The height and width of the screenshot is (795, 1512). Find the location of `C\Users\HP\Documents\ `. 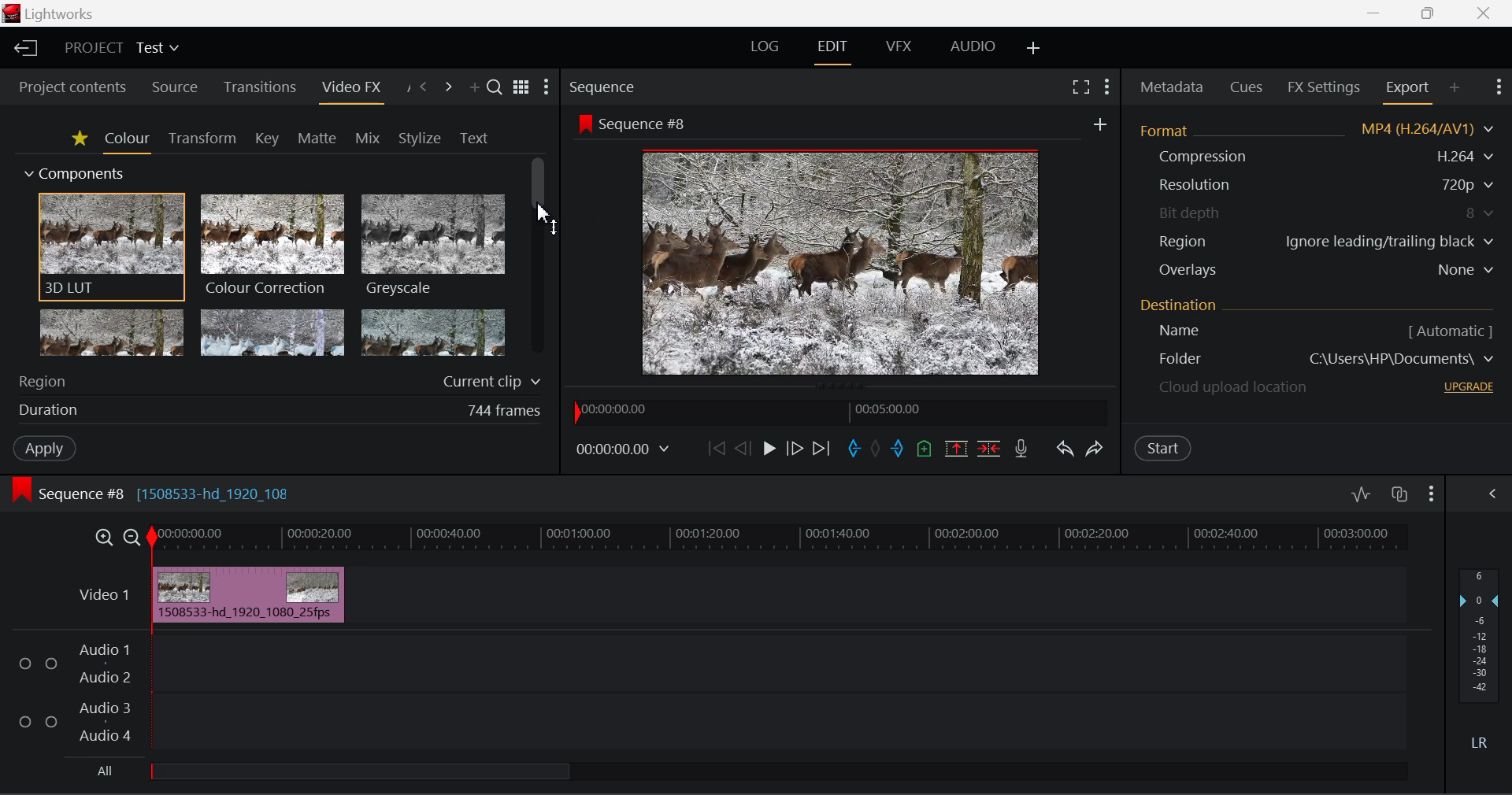

C\Users\HP\Documents\  is located at coordinates (1402, 358).